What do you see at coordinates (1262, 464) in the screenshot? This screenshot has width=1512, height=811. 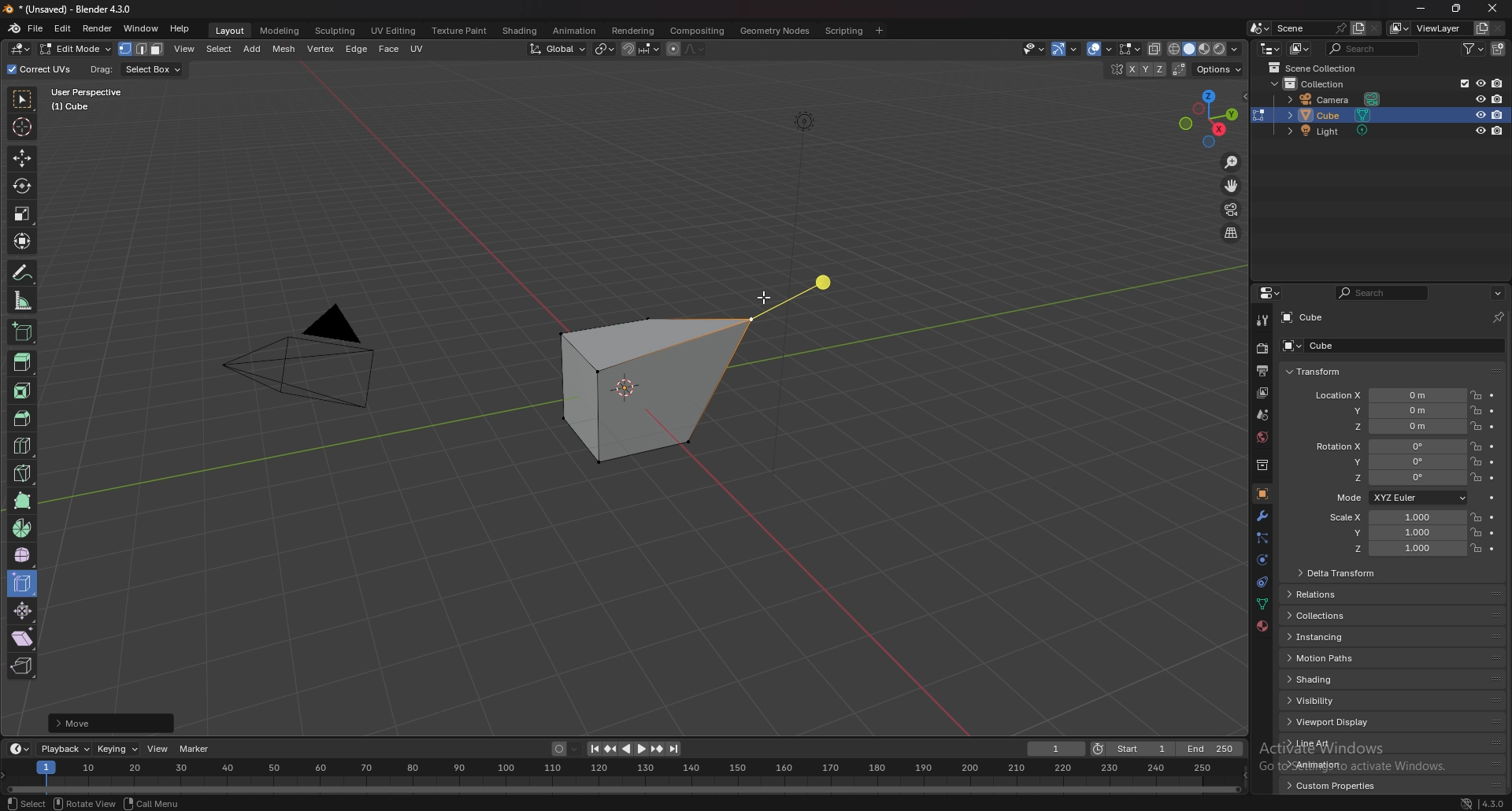 I see `collection` at bounding box center [1262, 464].